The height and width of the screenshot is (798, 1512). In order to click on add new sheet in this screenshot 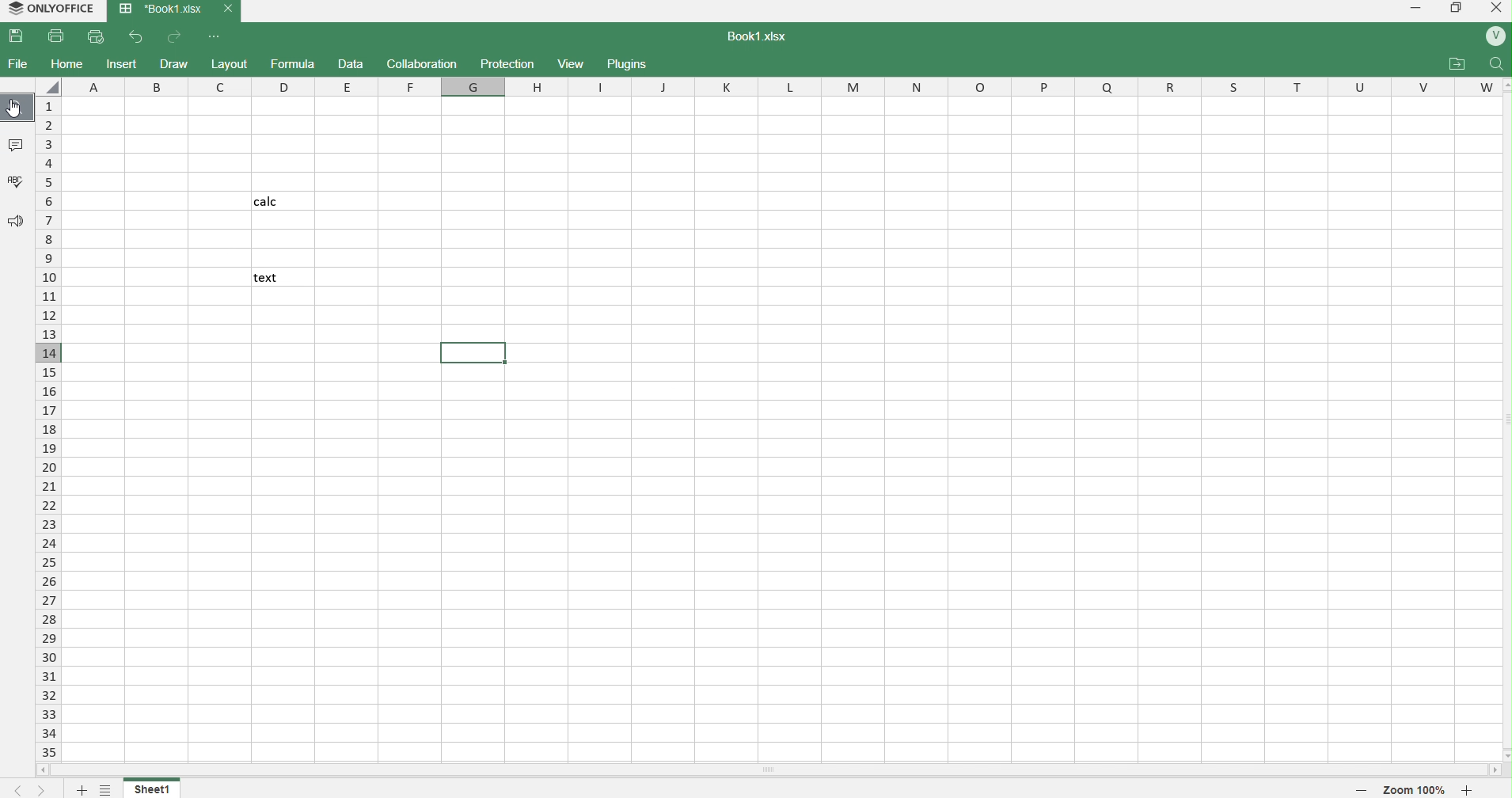, I will do `click(79, 787)`.